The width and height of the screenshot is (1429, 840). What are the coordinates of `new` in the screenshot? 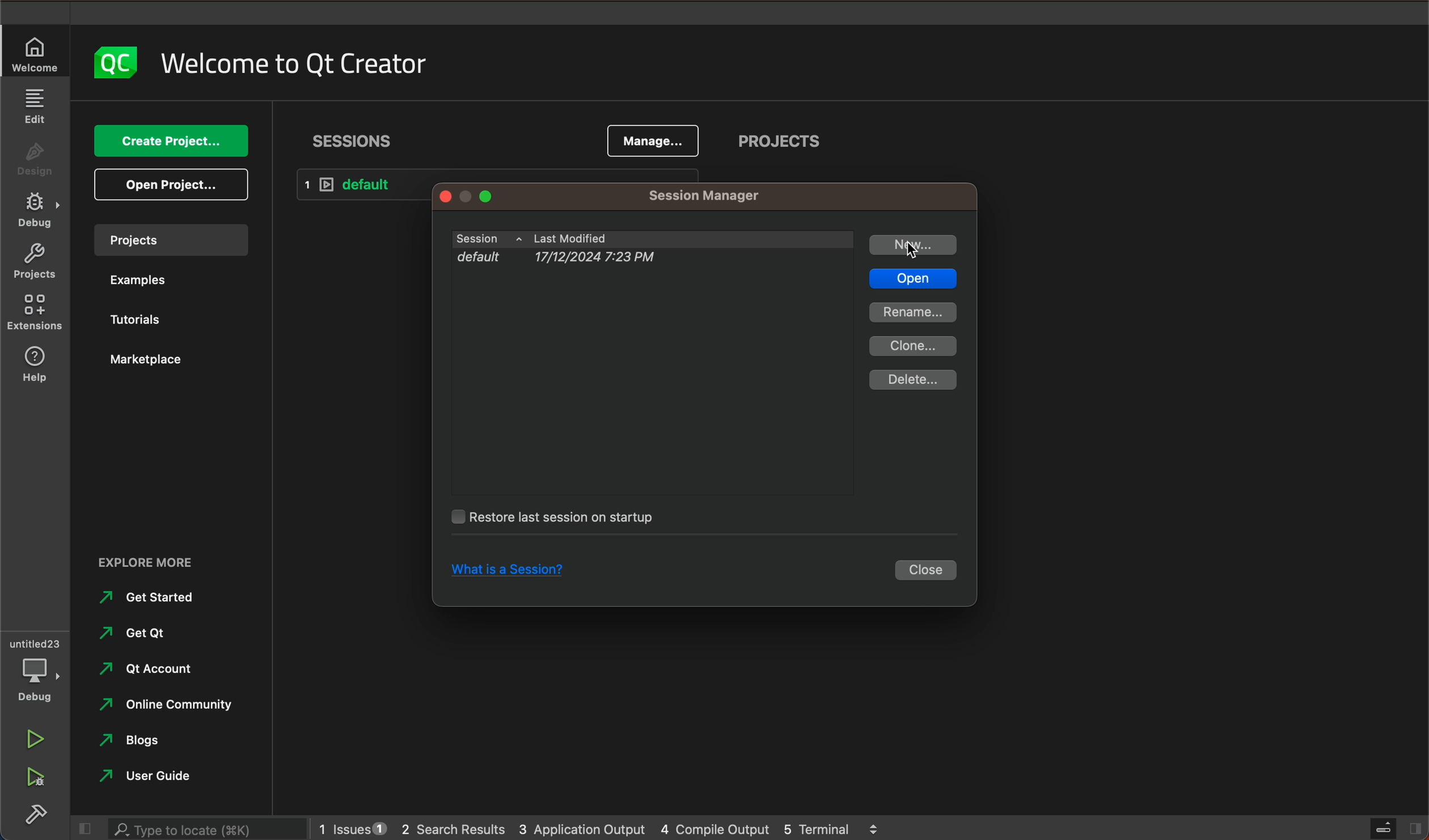 It's located at (914, 245).